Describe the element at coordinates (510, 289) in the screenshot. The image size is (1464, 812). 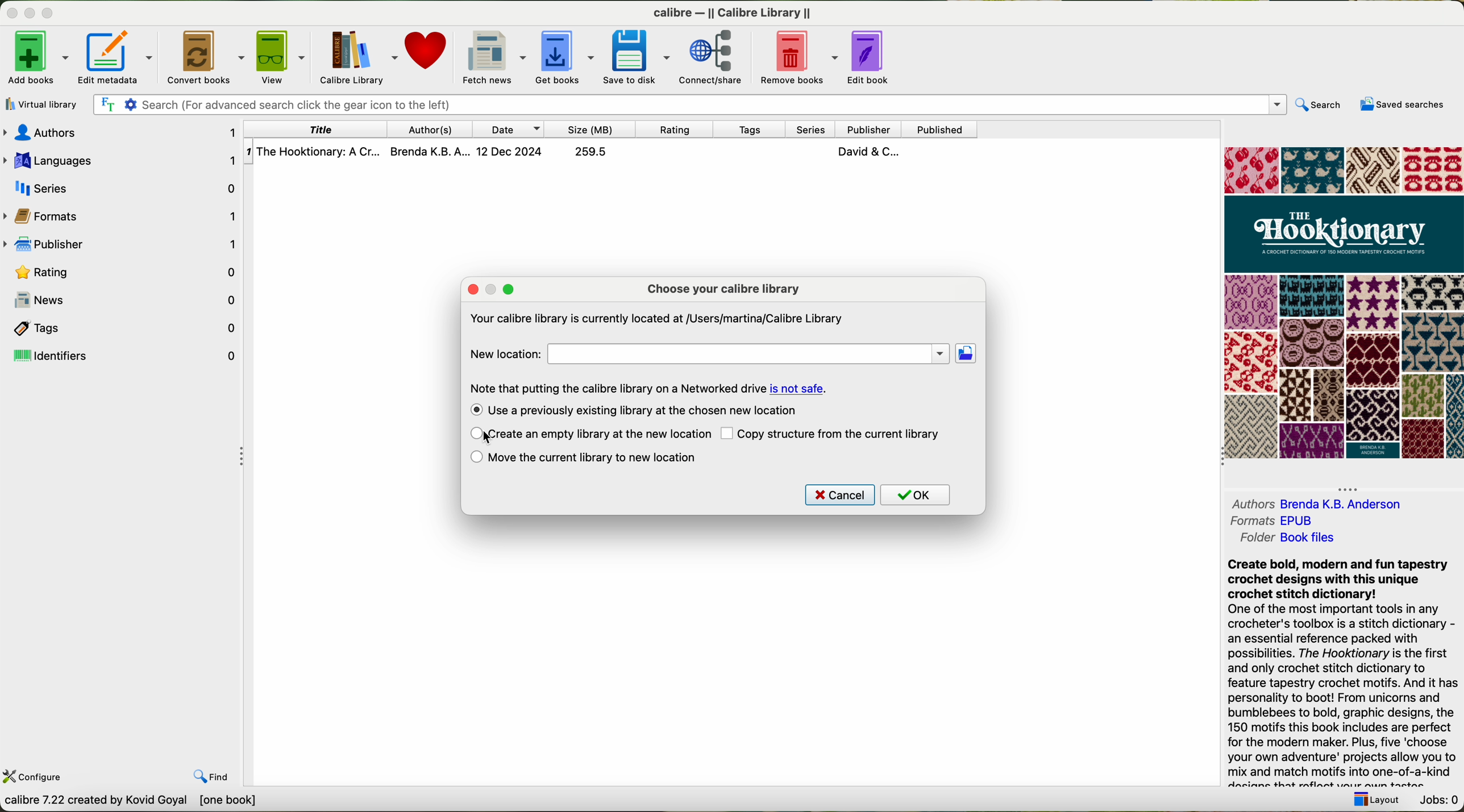
I see `maximize popup` at that location.